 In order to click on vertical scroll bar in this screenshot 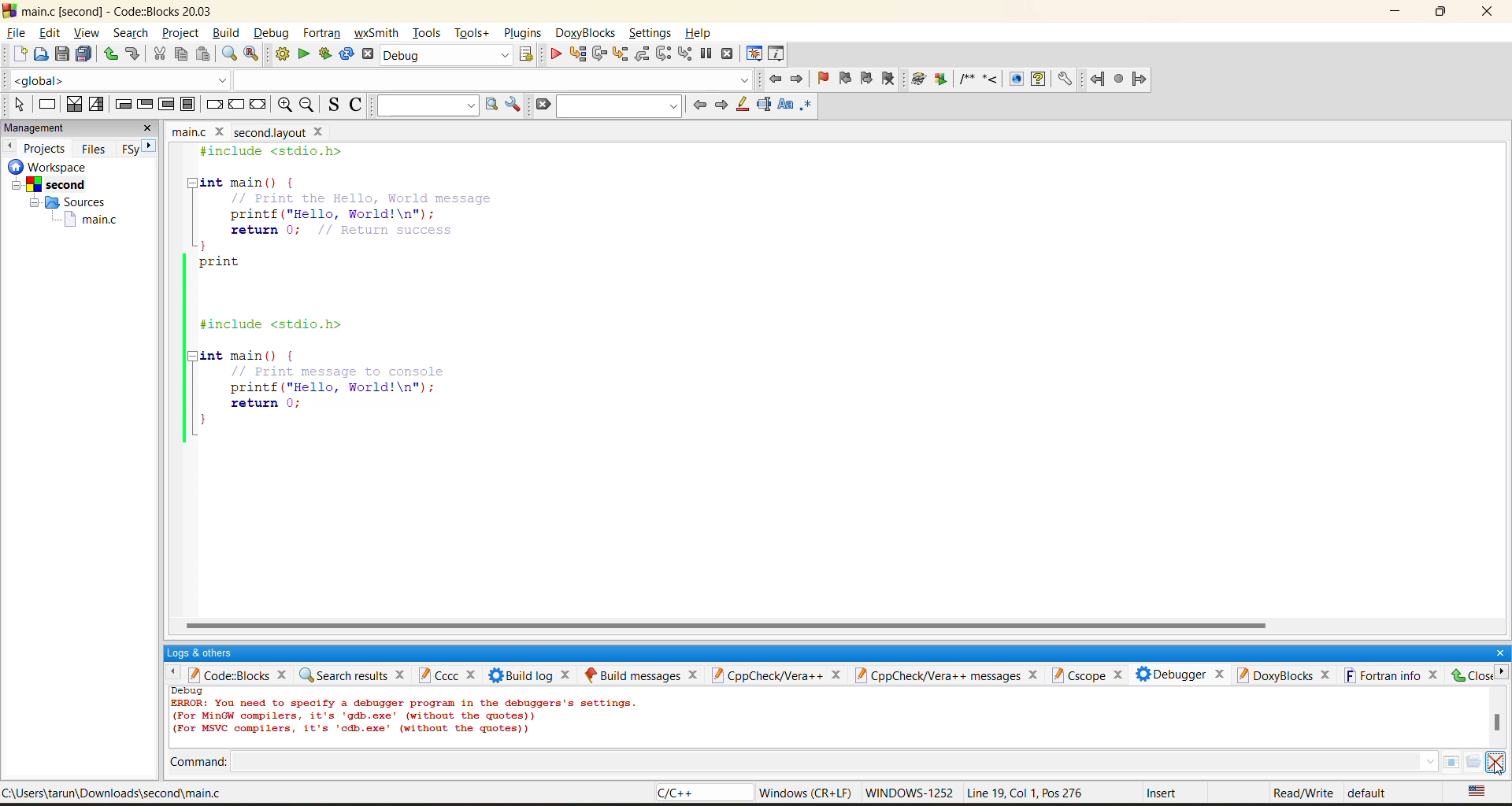, I will do `click(1493, 723)`.